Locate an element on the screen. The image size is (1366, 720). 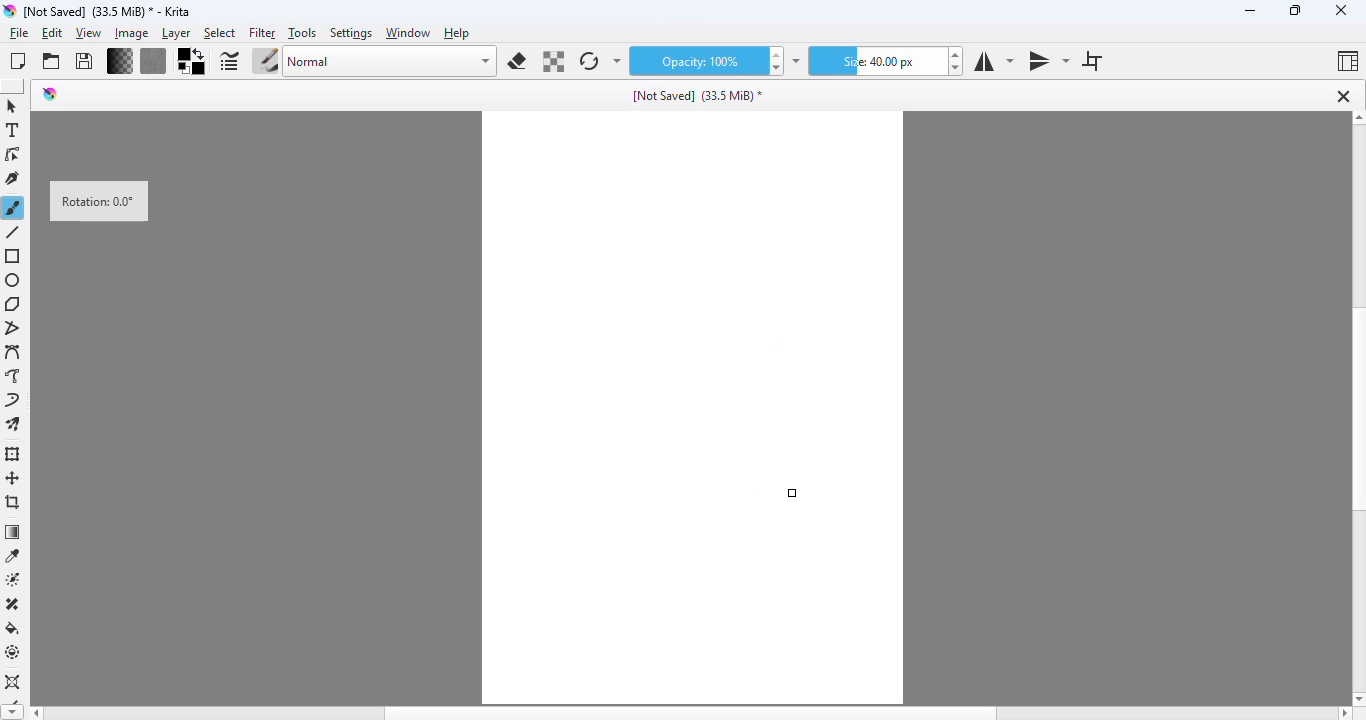
create new document is located at coordinates (18, 61).